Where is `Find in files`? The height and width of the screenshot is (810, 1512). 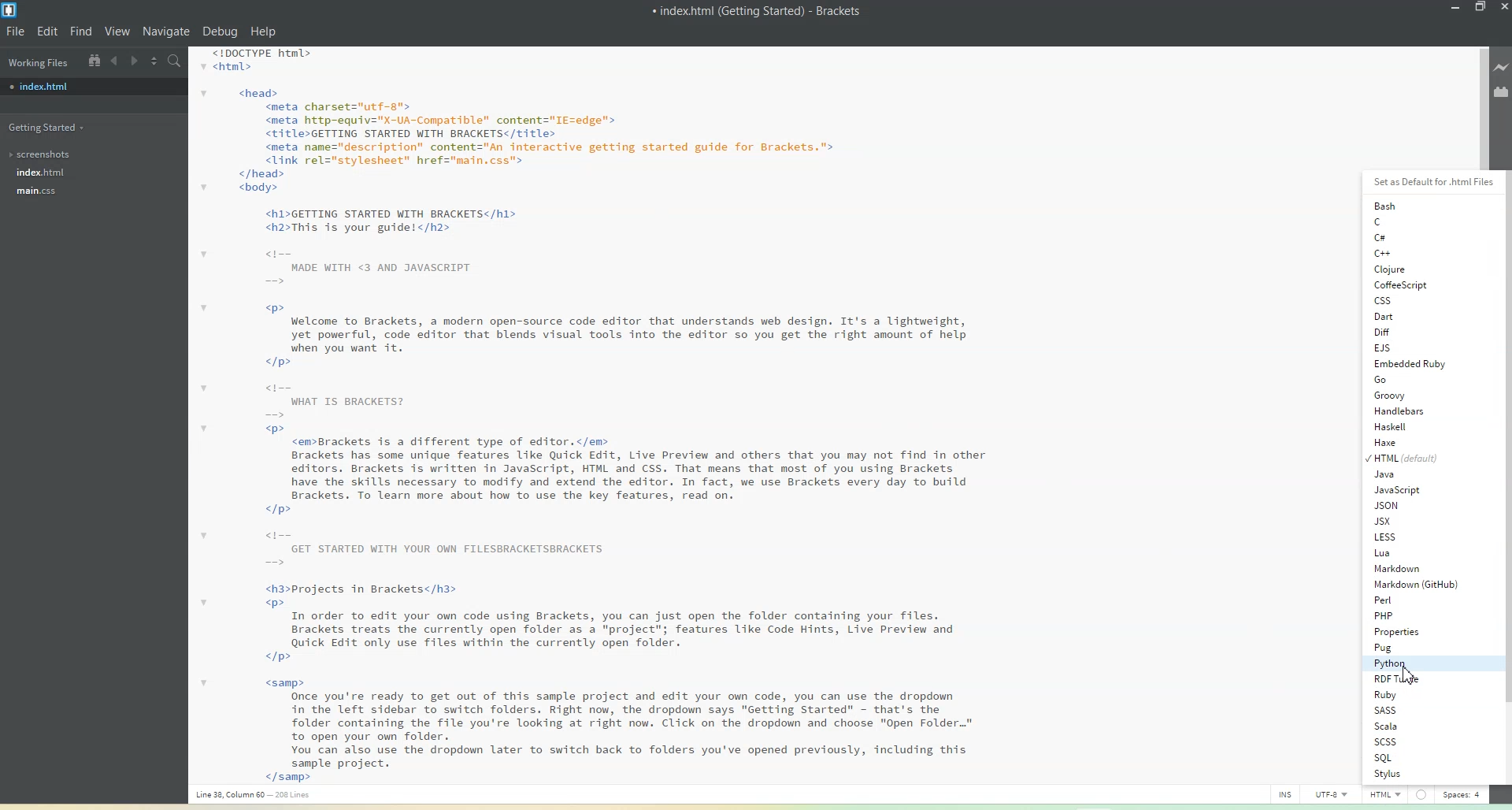 Find in files is located at coordinates (176, 61).